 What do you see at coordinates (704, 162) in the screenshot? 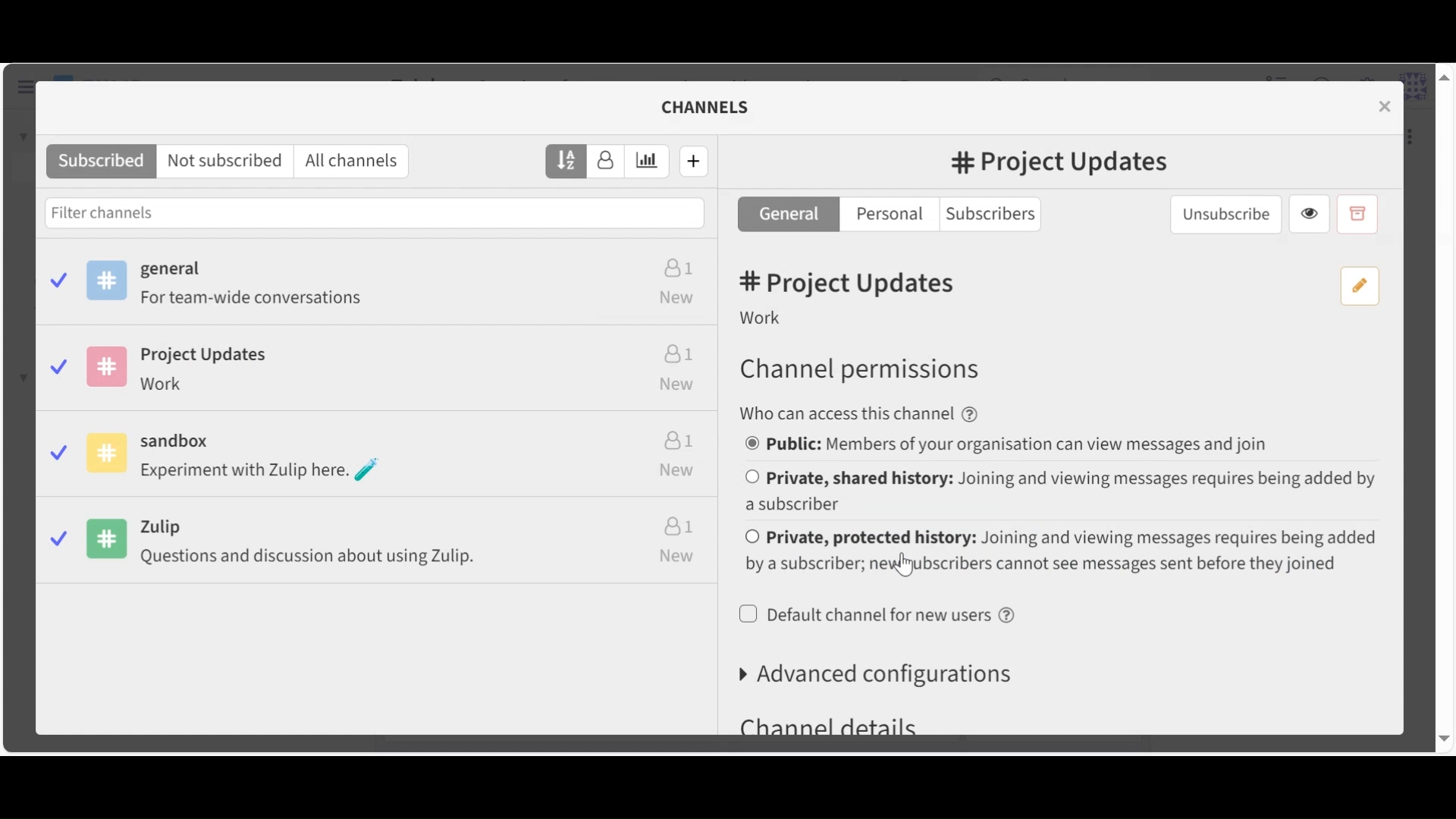
I see `Create new channel` at bounding box center [704, 162].